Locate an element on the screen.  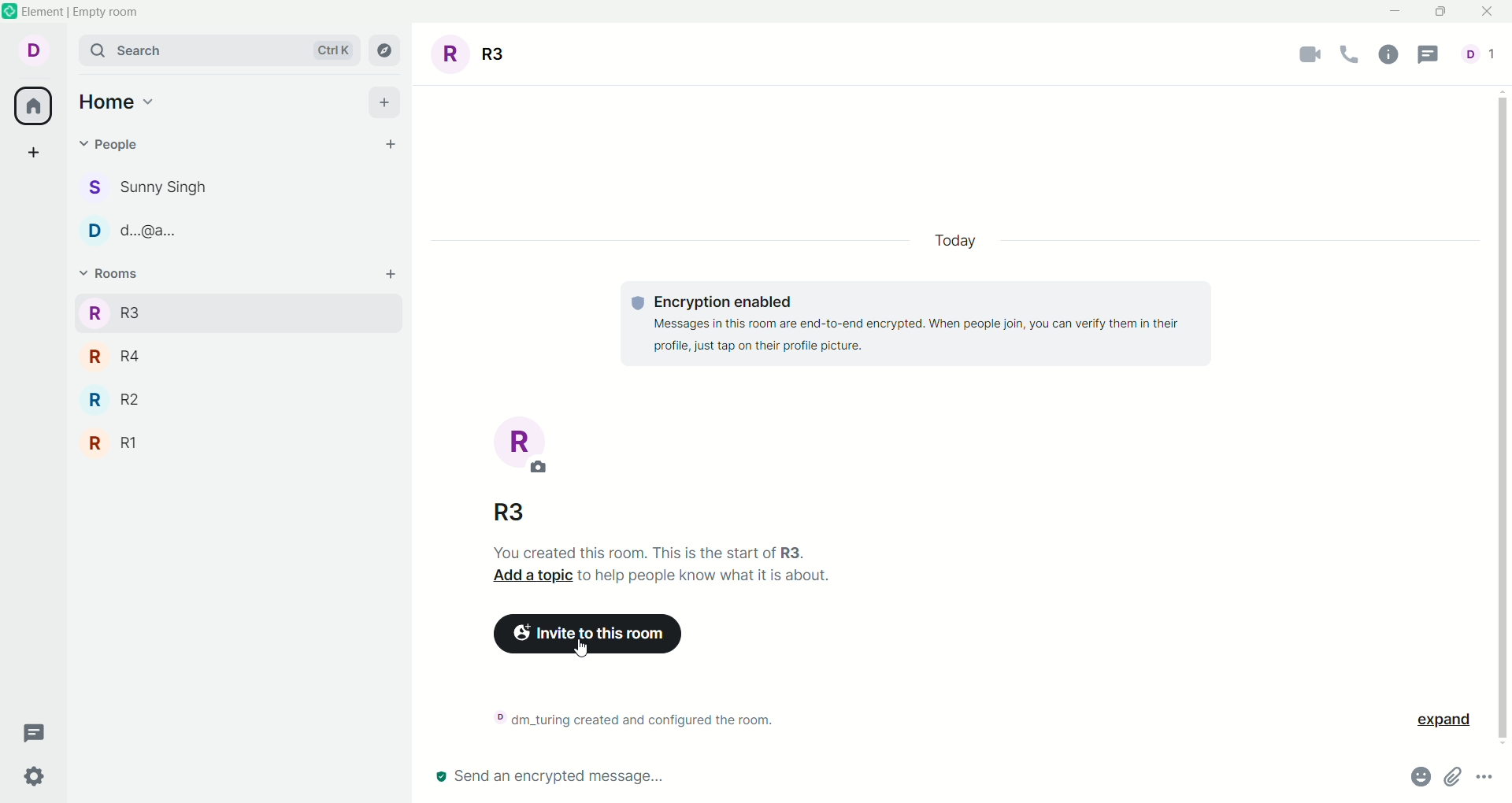
start chat is located at coordinates (391, 147).